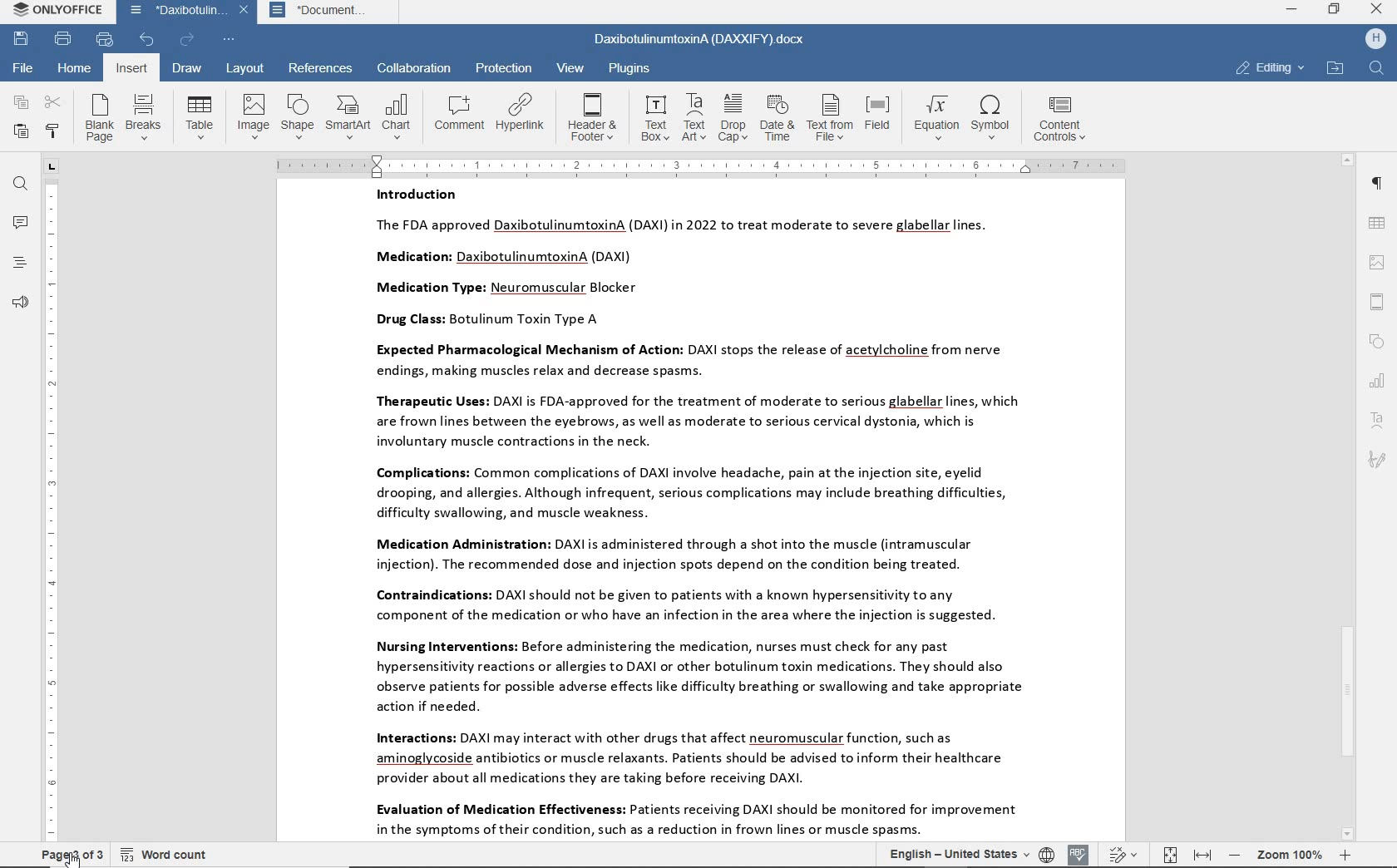 Image resolution: width=1397 pixels, height=868 pixels. What do you see at coordinates (1344, 855) in the screenshot?
I see `zoom in` at bounding box center [1344, 855].